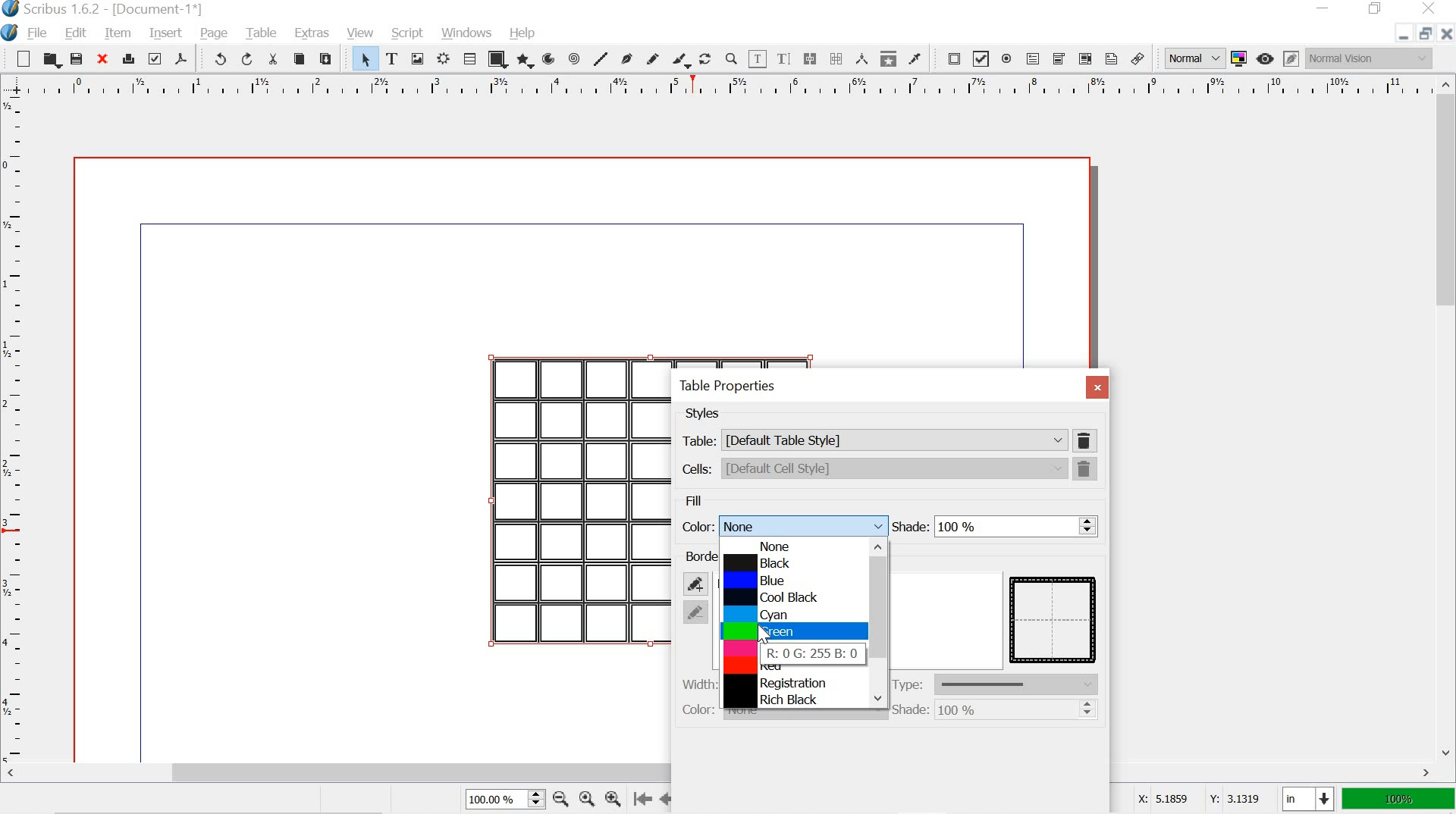  What do you see at coordinates (769, 632) in the screenshot?
I see `green` at bounding box center [769, 632].